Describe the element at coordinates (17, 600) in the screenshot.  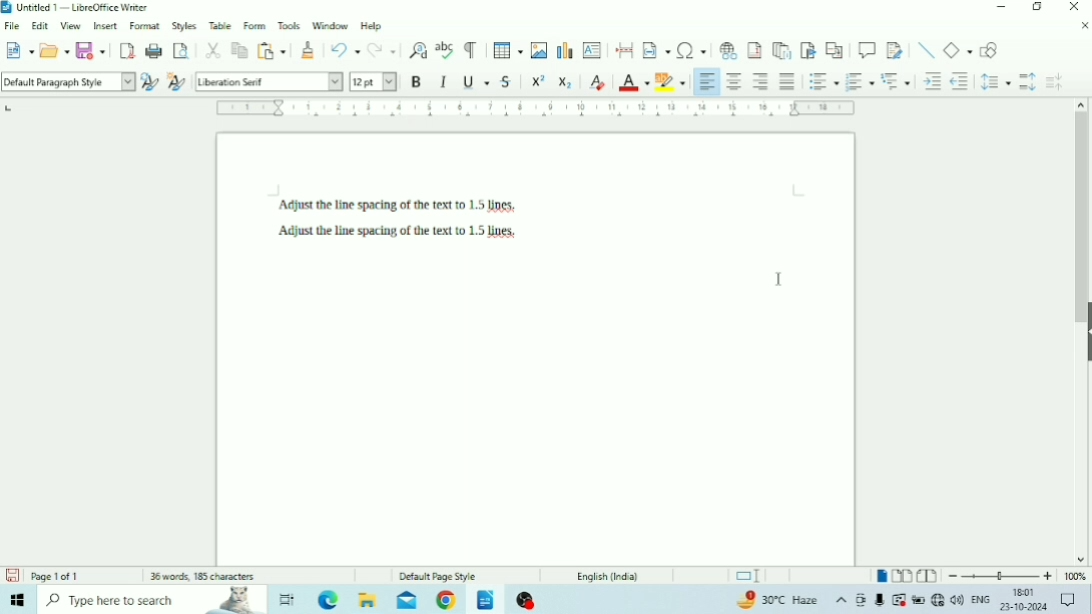
I see `Windows` at that location.